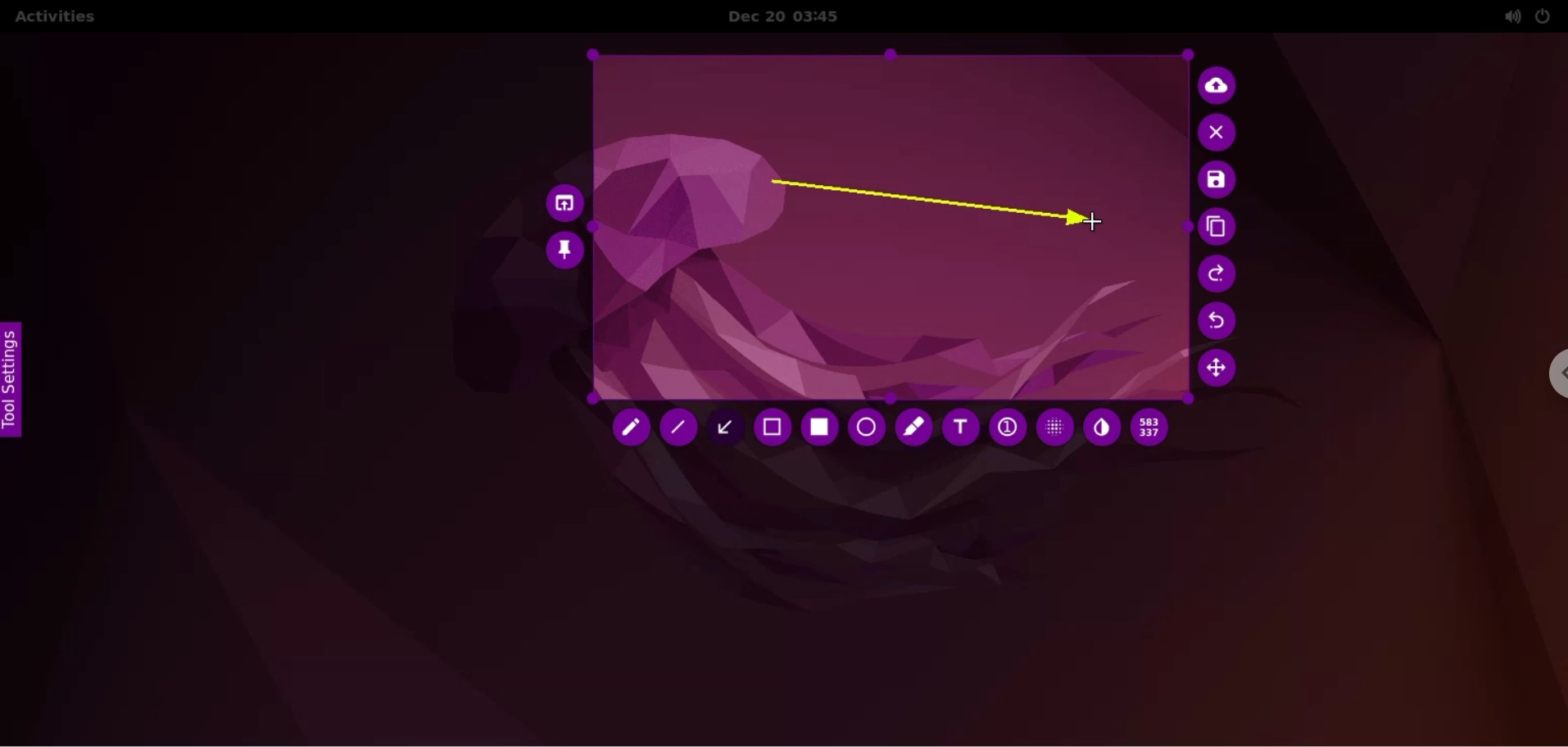 Image resolution: width=1568 pixels, height=747 pixels. What do you see at coordinates (1548, 378) in the screenshot?
I see `chrome options` at bounding box center [1548, 378].